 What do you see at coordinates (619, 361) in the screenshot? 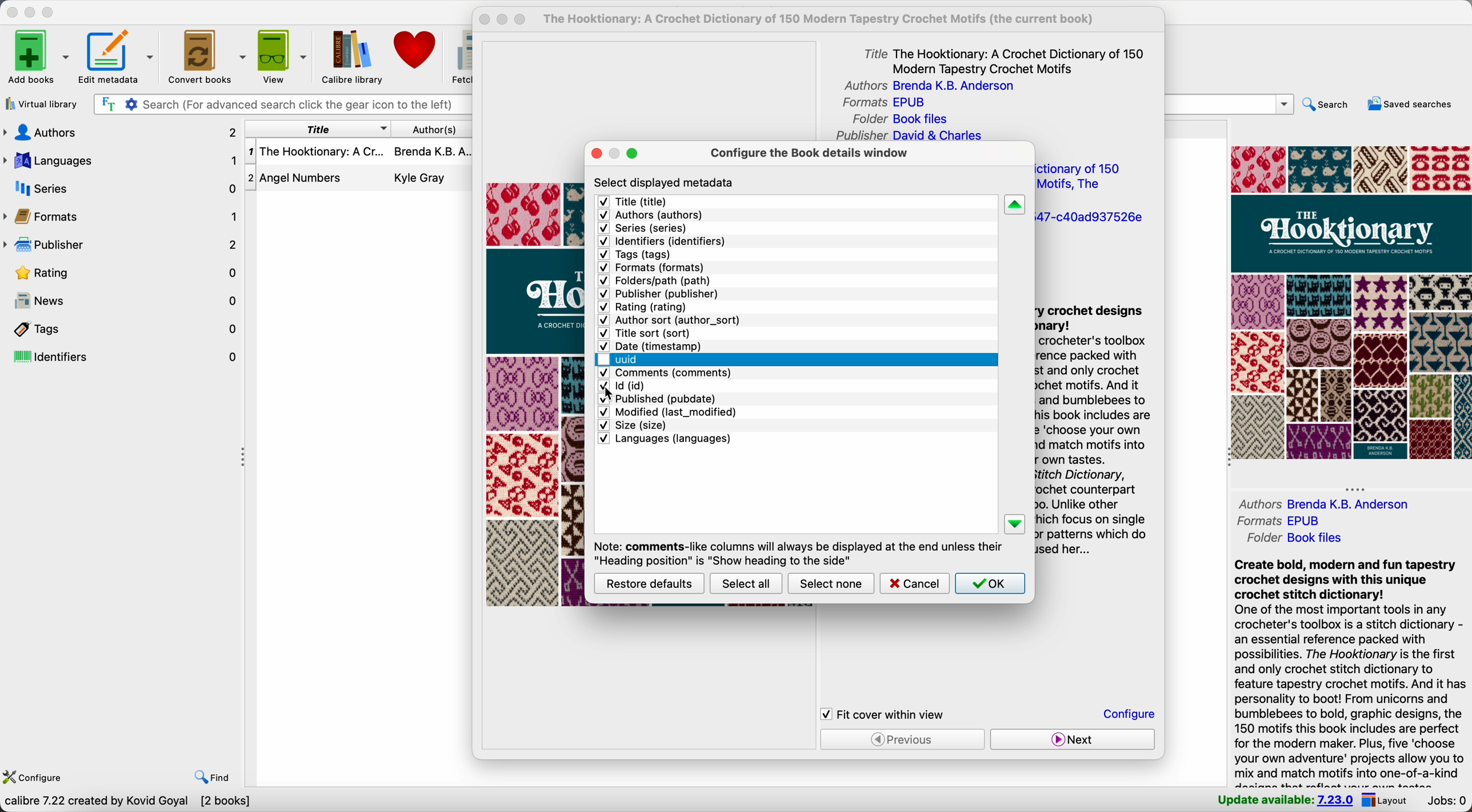
I see `click on uuid` at bounding box center [619, 361].